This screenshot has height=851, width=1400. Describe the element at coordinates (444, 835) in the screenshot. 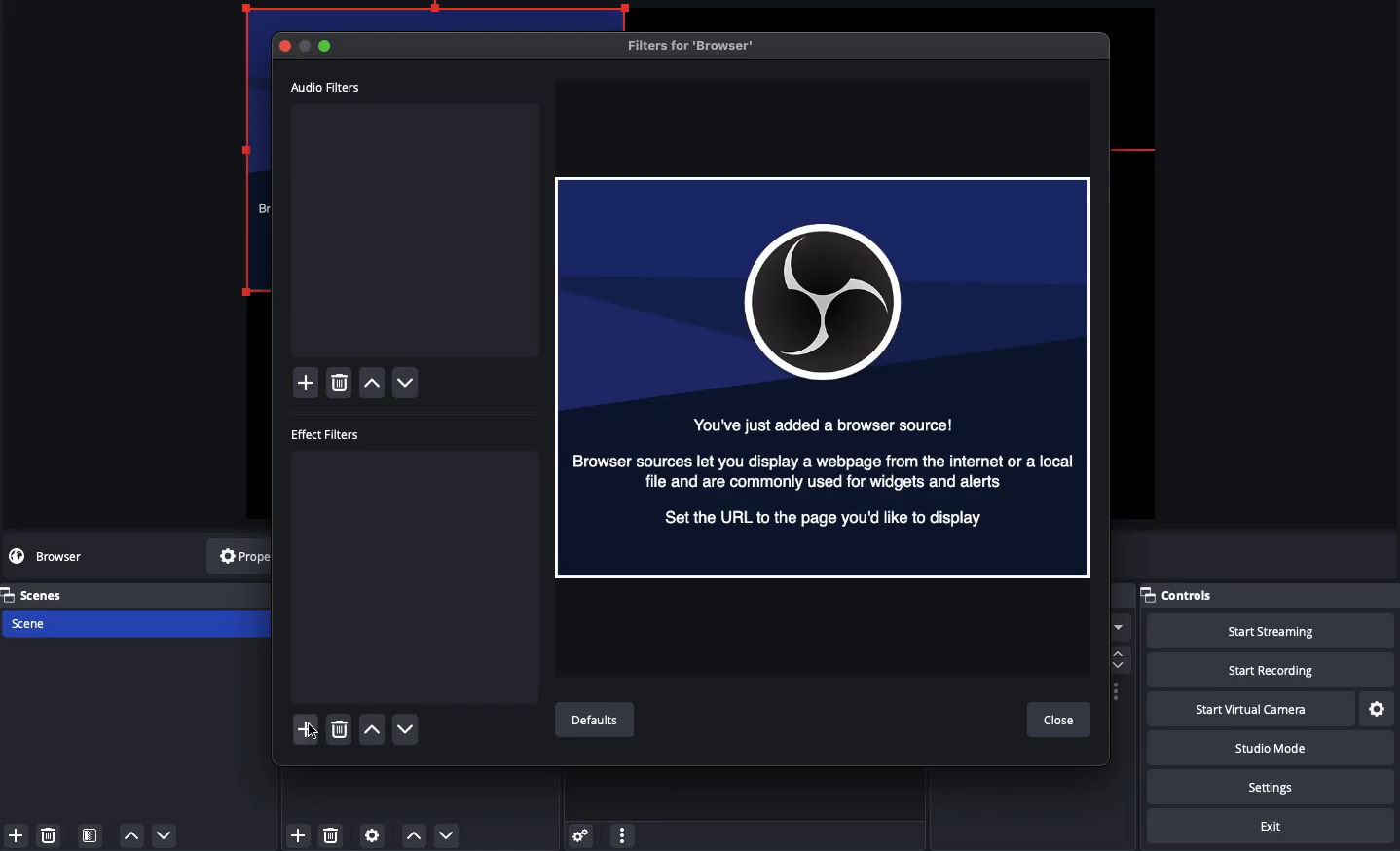

I see `Move down` at that location.